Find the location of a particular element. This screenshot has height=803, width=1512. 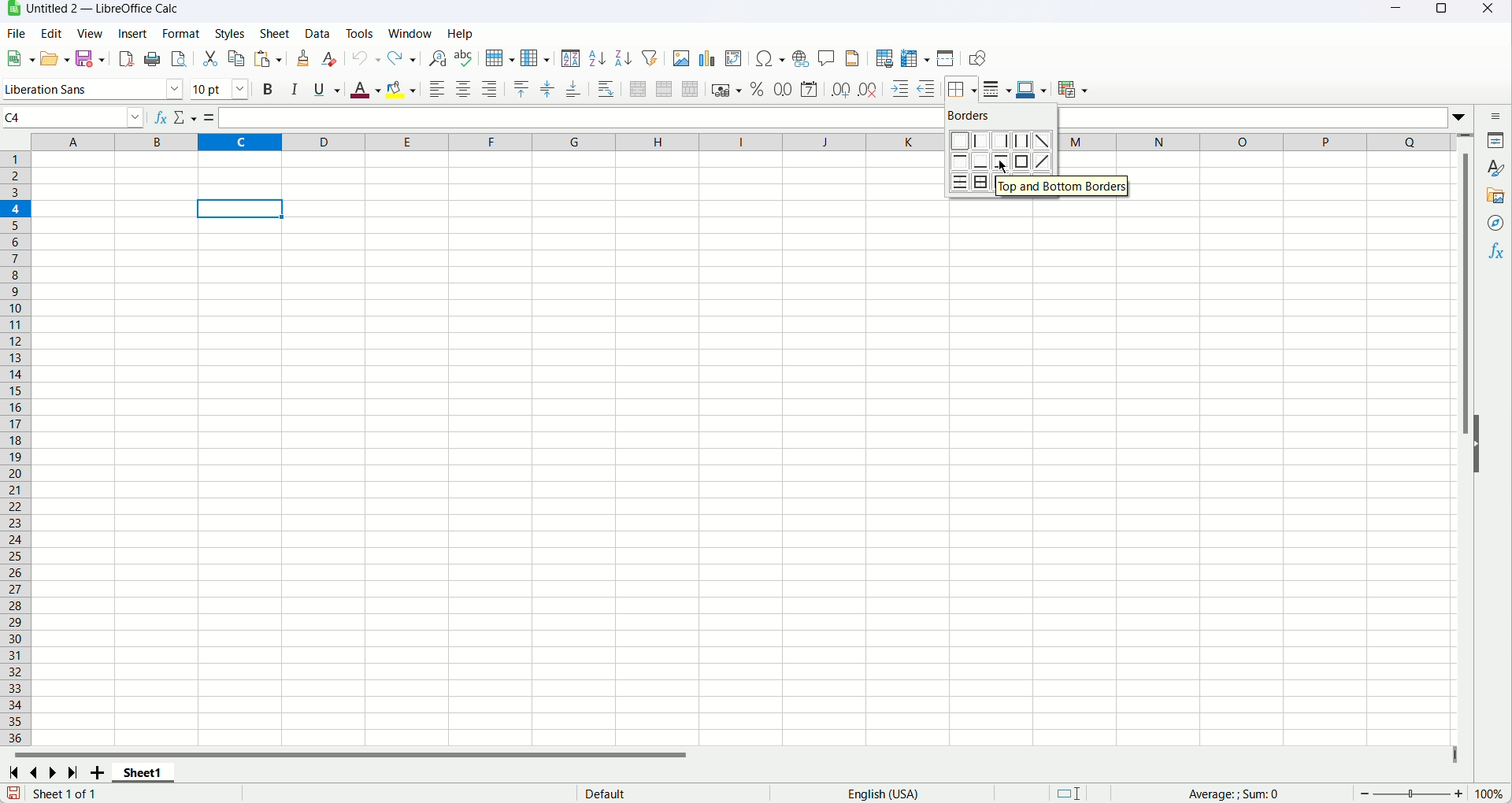

Delete decimal place is located at coordinates (868, 91).